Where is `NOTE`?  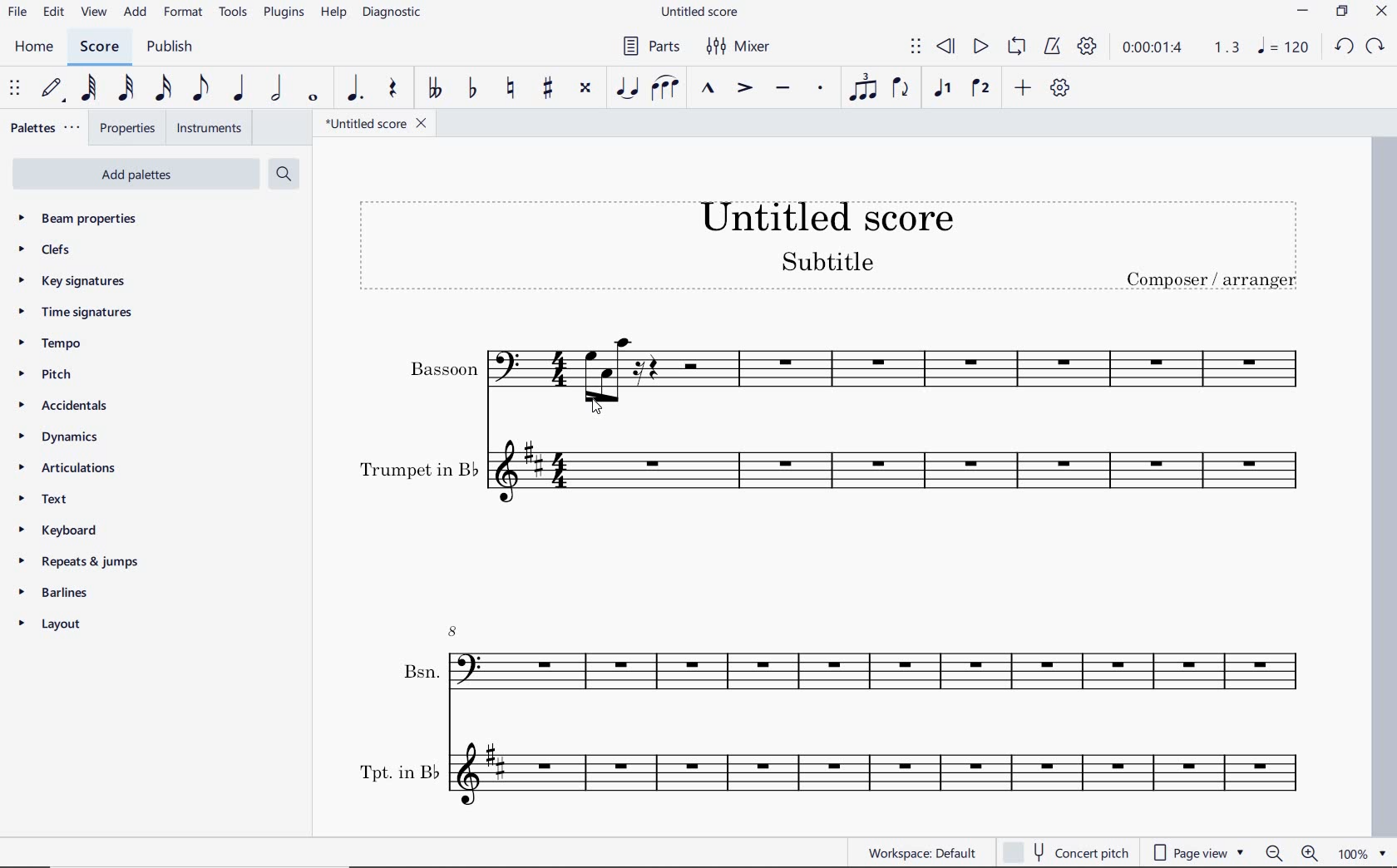 NOTE is located at coordinates (1284, 47).